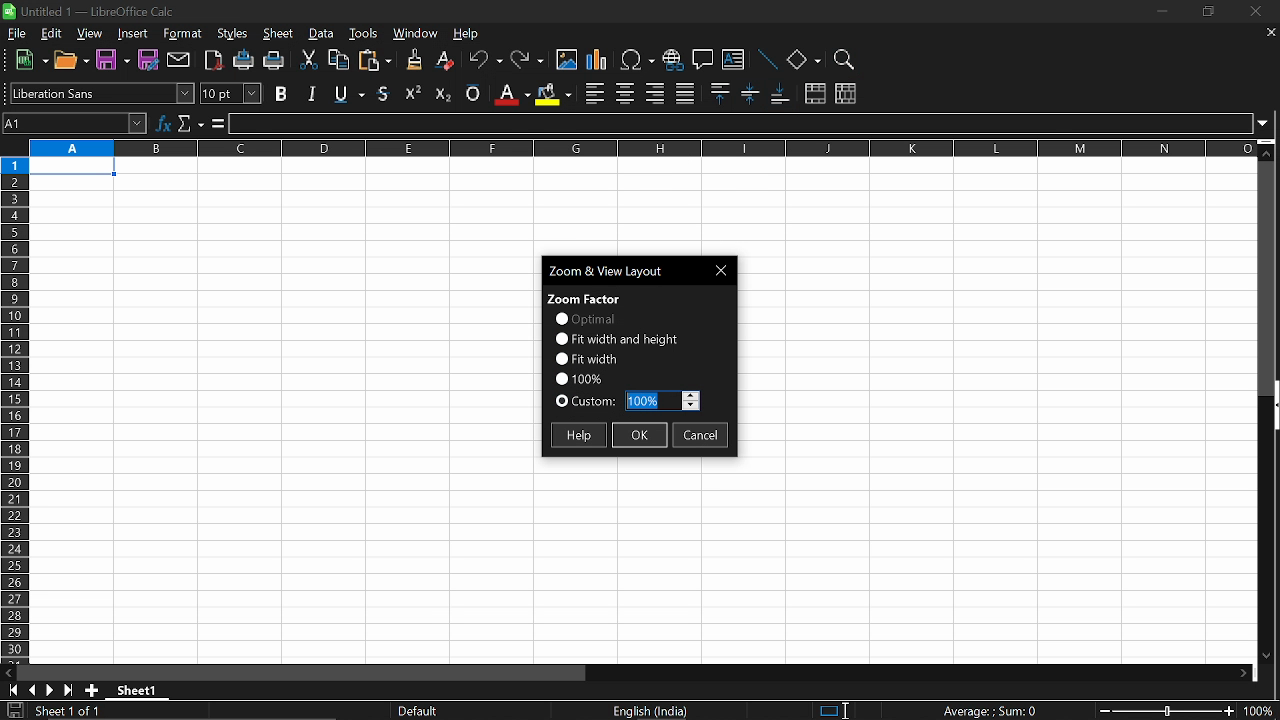  I want to click on paste, so click(374, 62).